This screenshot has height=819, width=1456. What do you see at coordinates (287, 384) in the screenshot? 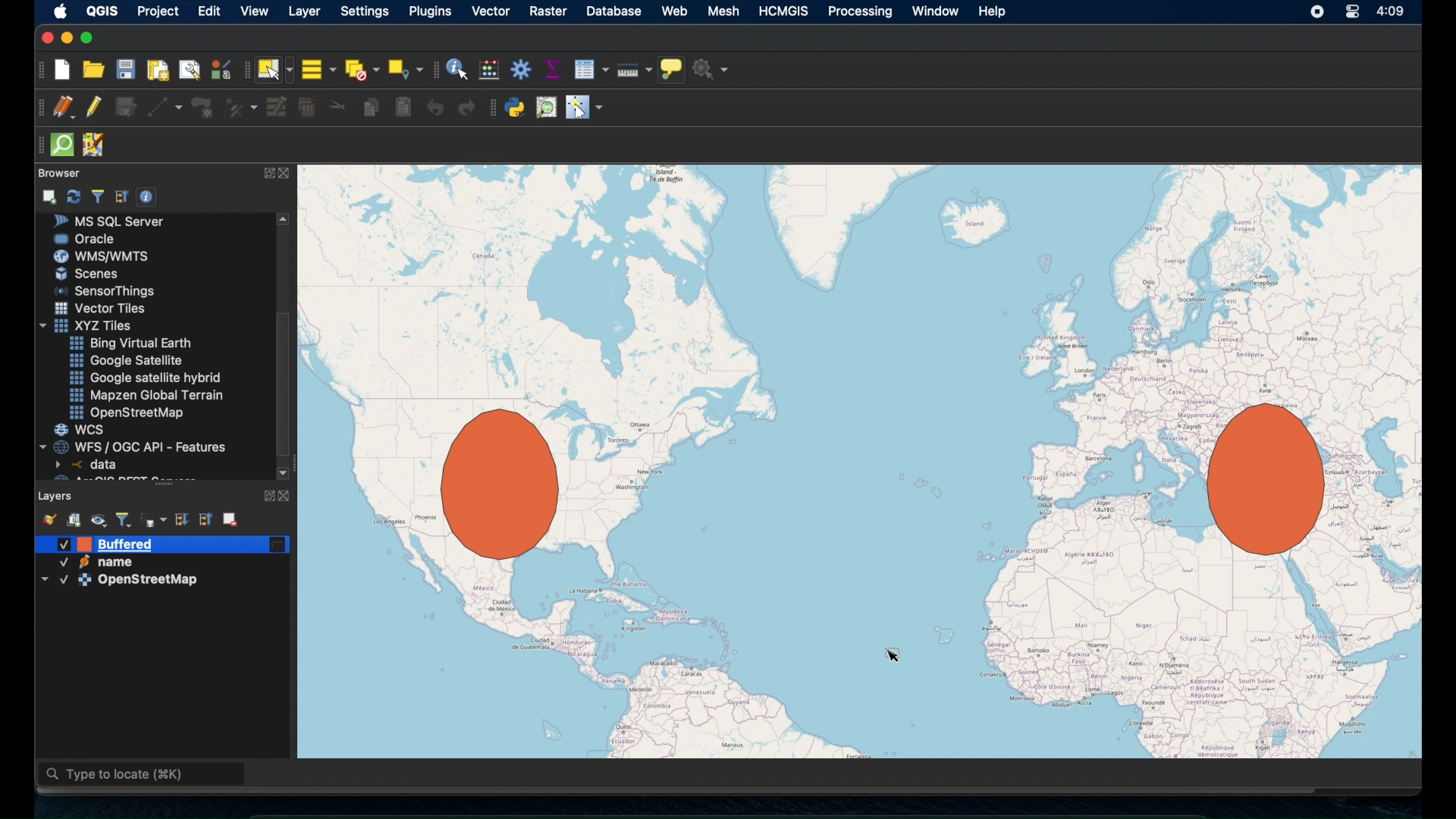
I see `scroll box` at bounding box center [287, 384].